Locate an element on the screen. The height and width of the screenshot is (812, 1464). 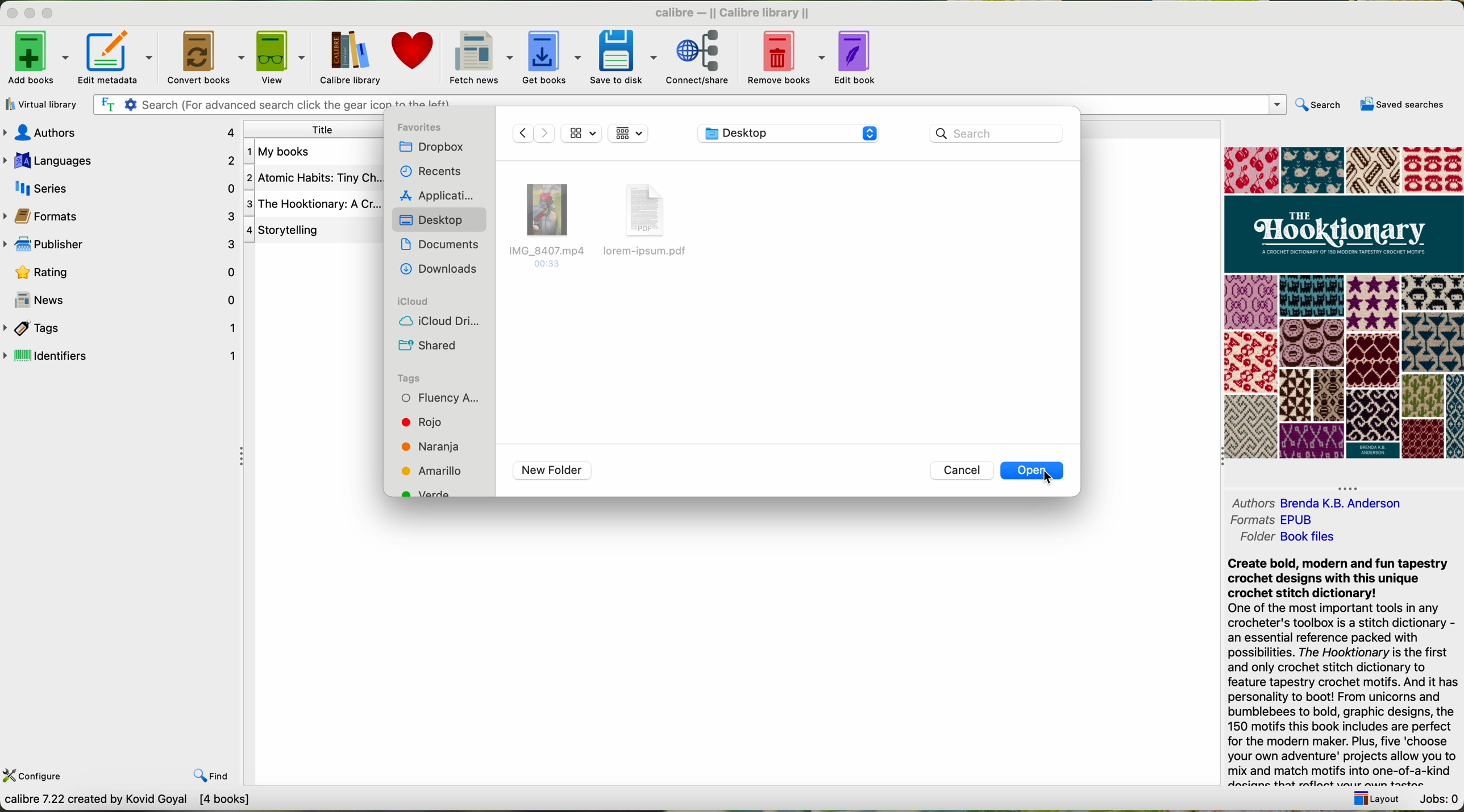
video file is located at coordinates (547, 223).